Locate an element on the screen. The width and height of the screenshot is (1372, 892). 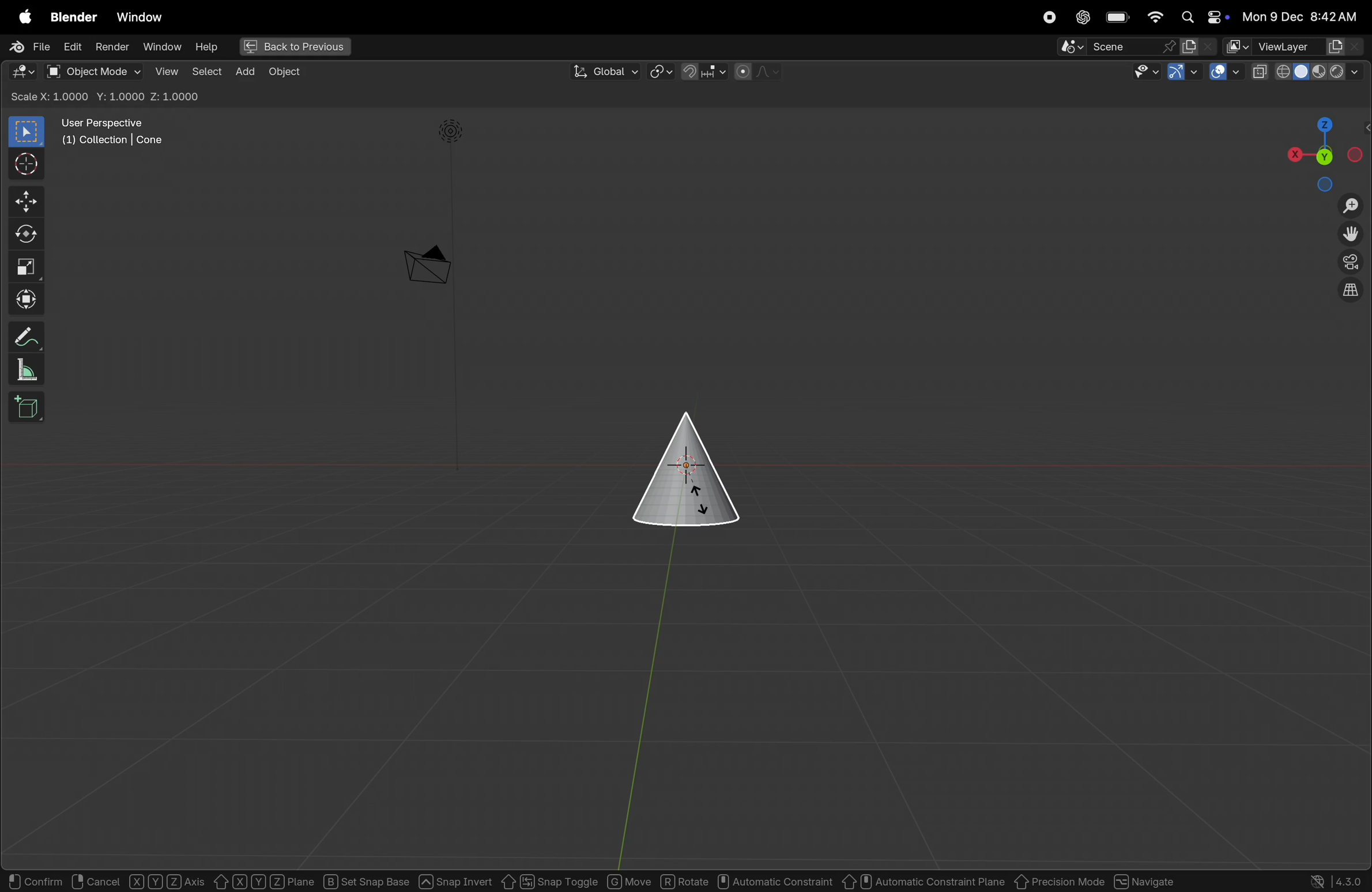
render is located at coordinates (111, 47).